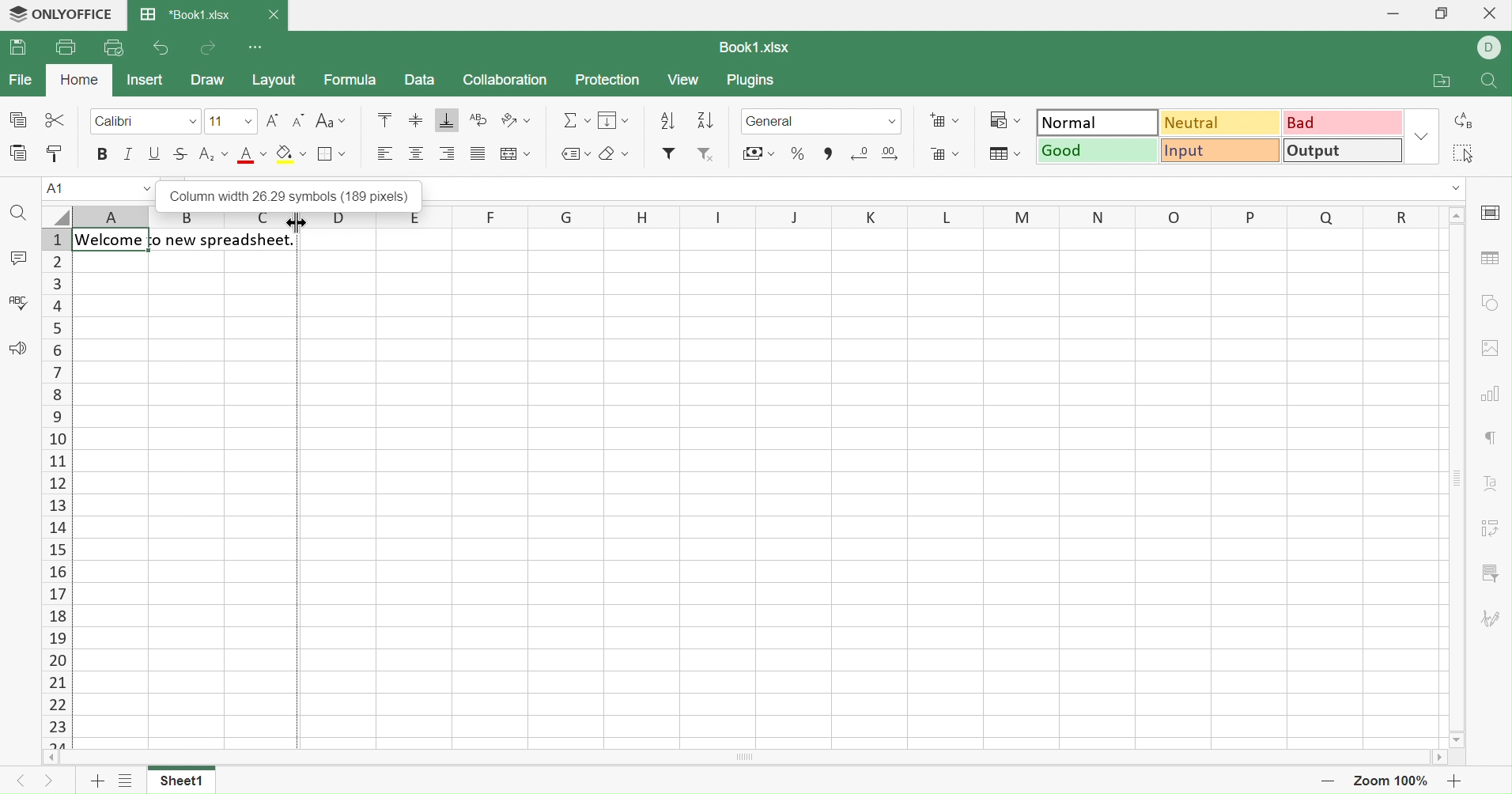  I want to click on Normal, so click(1098, 122).